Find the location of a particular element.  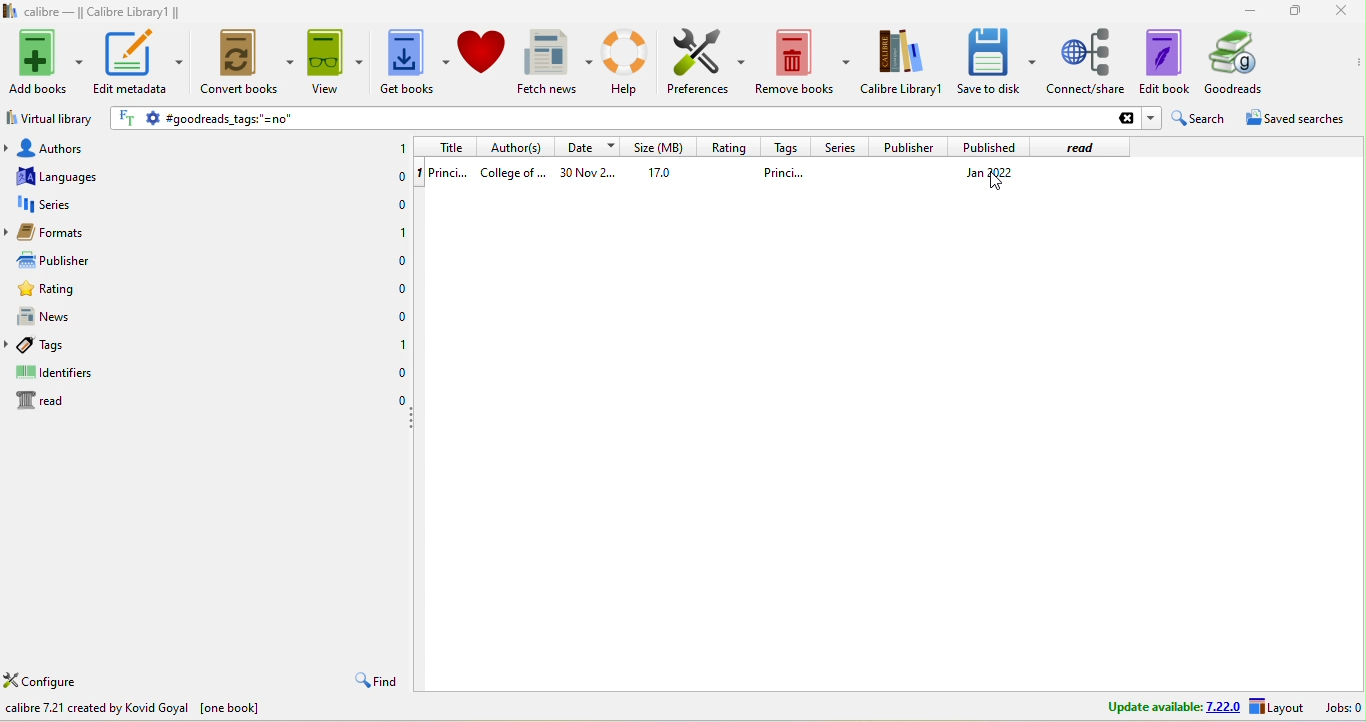

calibre library 1 is located at coordinates (902, 61).